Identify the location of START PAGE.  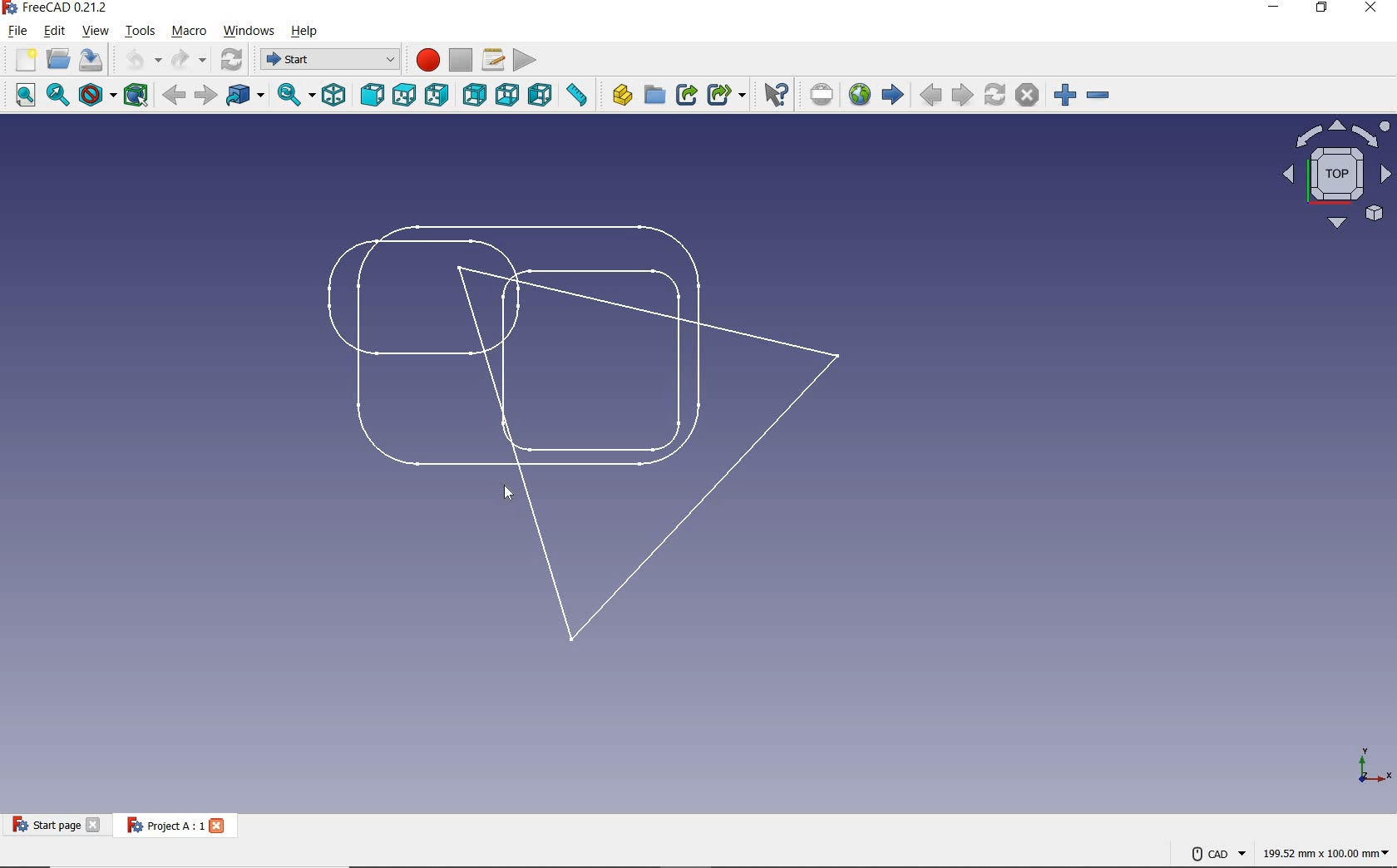
(892, 96).